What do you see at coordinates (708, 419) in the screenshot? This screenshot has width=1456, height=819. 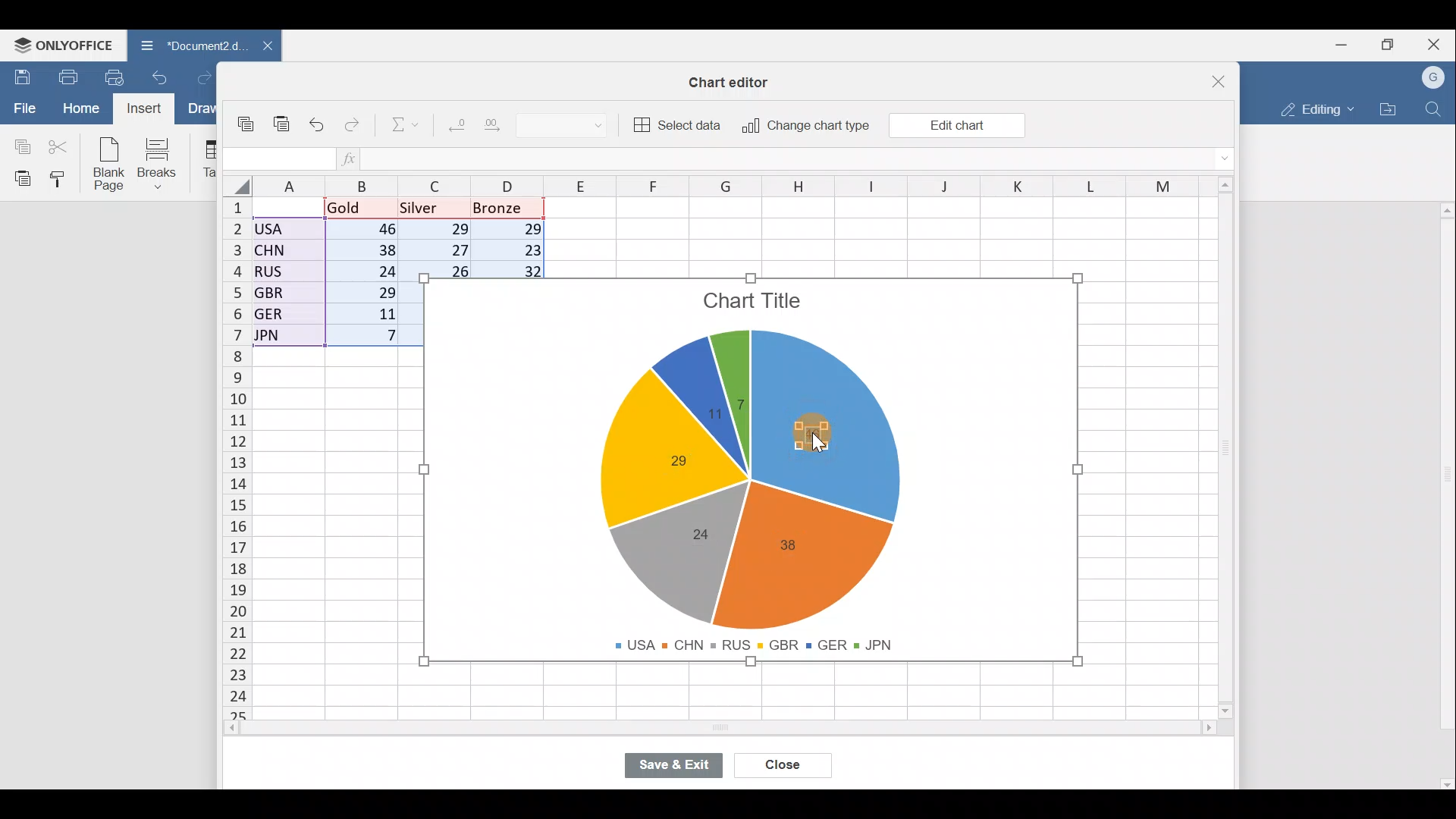 I see `Chart label` at bounding box center [708, 419].